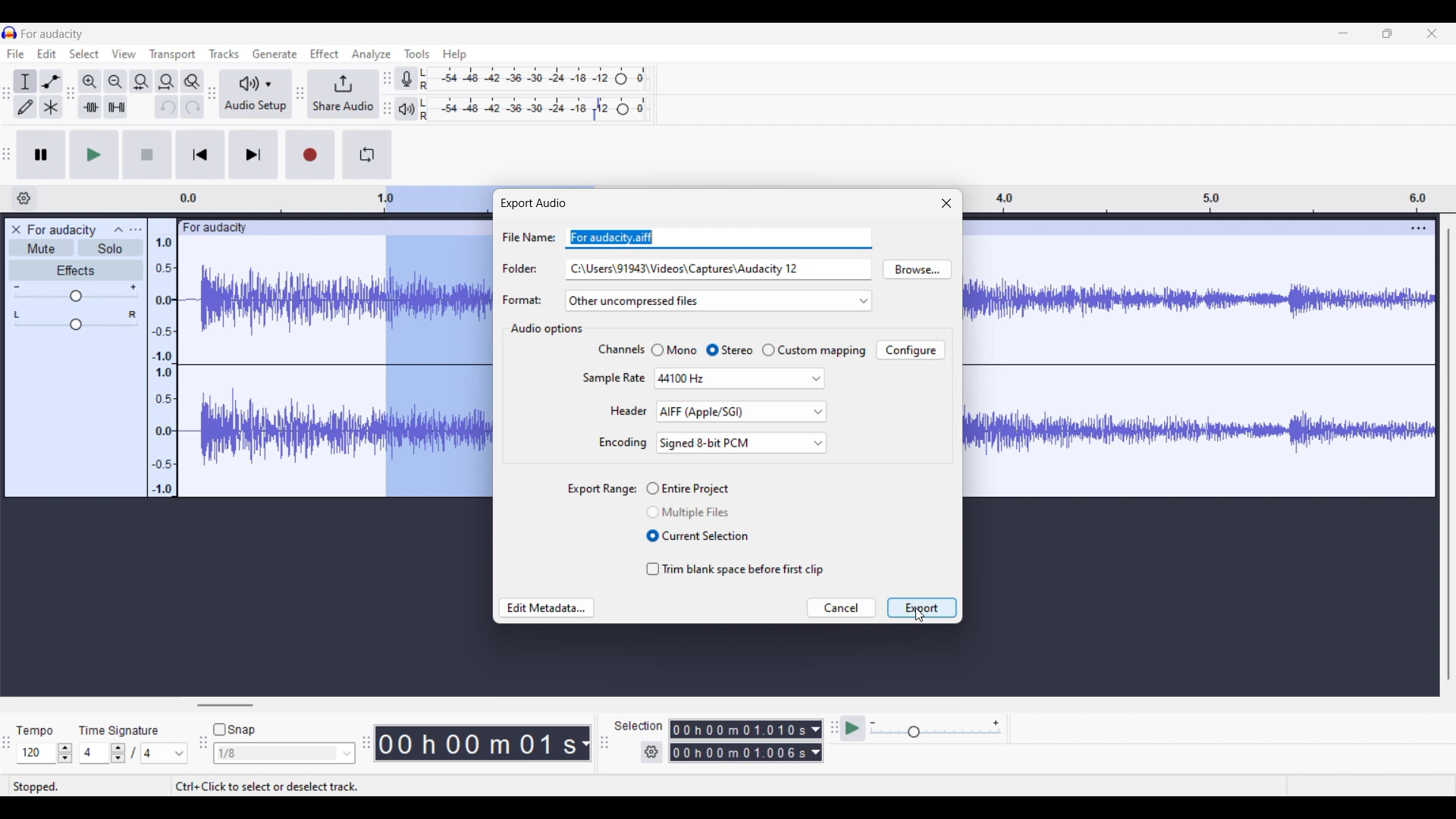 This screenshot has width=1456, height=819. I want to click on Indicates Export range toggle, so click(594, 489).